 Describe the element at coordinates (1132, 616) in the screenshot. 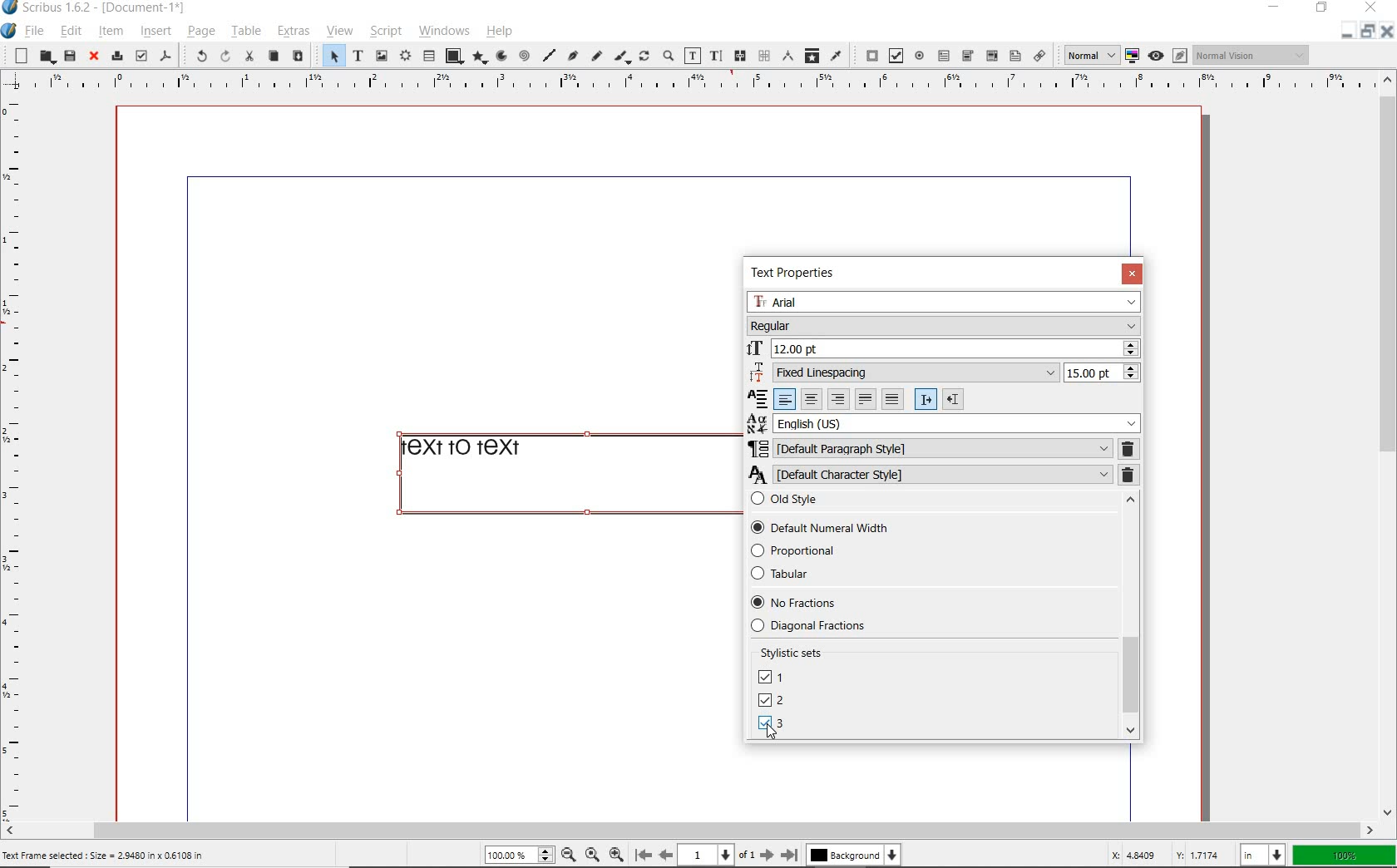

I see `SCROLLBAR` at that location.